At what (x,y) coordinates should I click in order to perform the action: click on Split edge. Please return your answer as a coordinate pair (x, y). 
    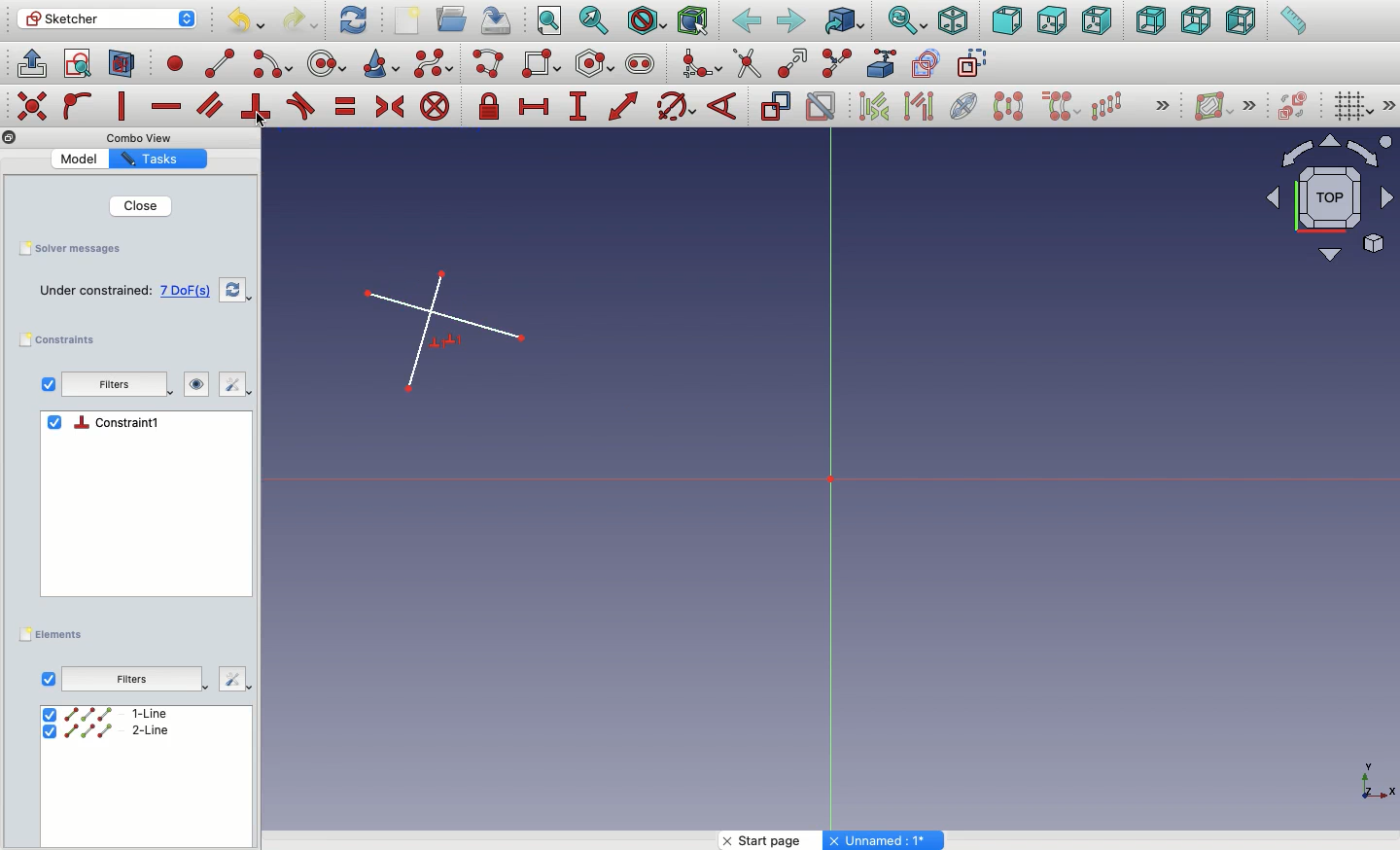
    Looking at the image, I should click on (838, 62).